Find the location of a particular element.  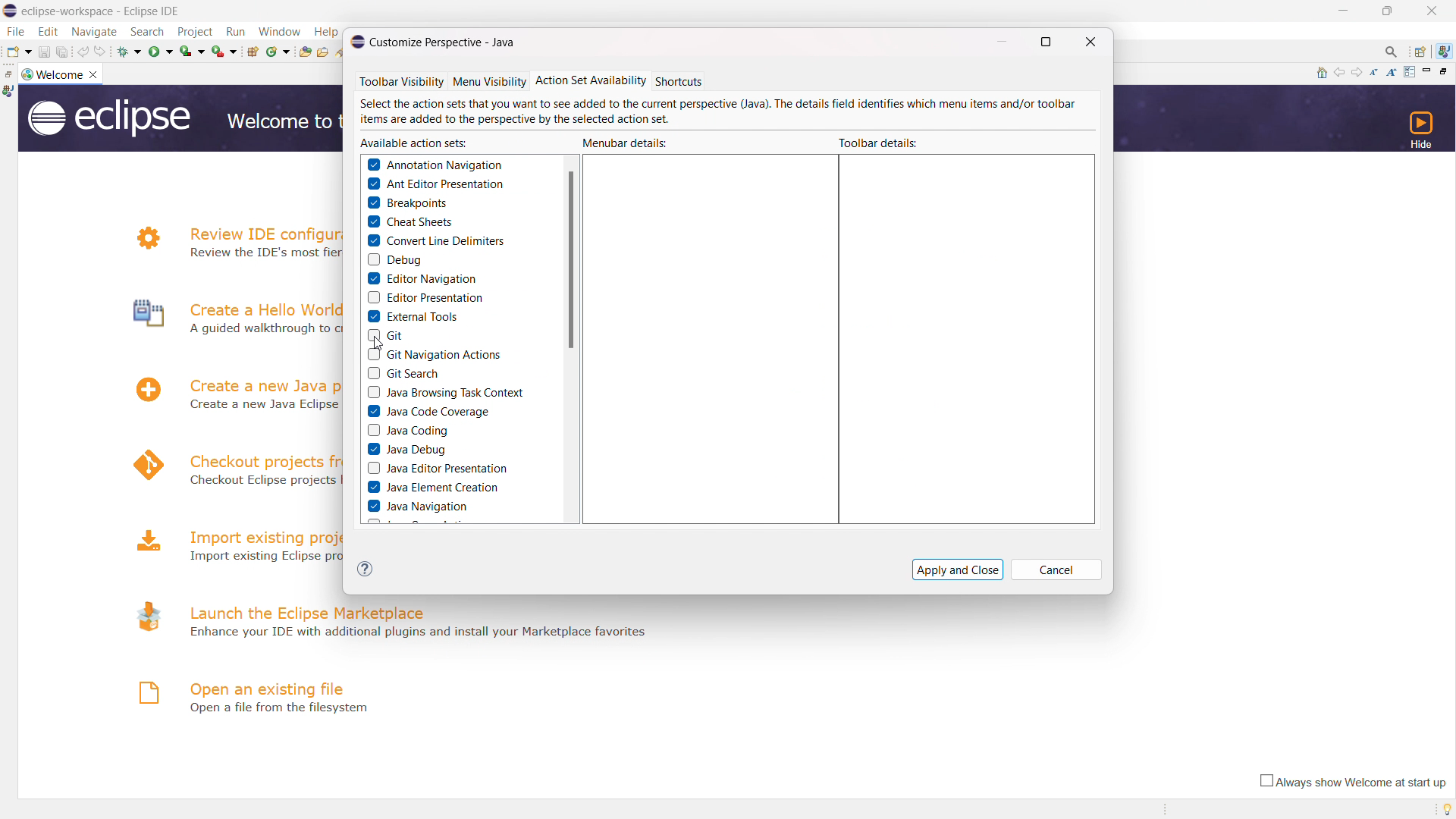

java is located at coordinates (1446, 51).